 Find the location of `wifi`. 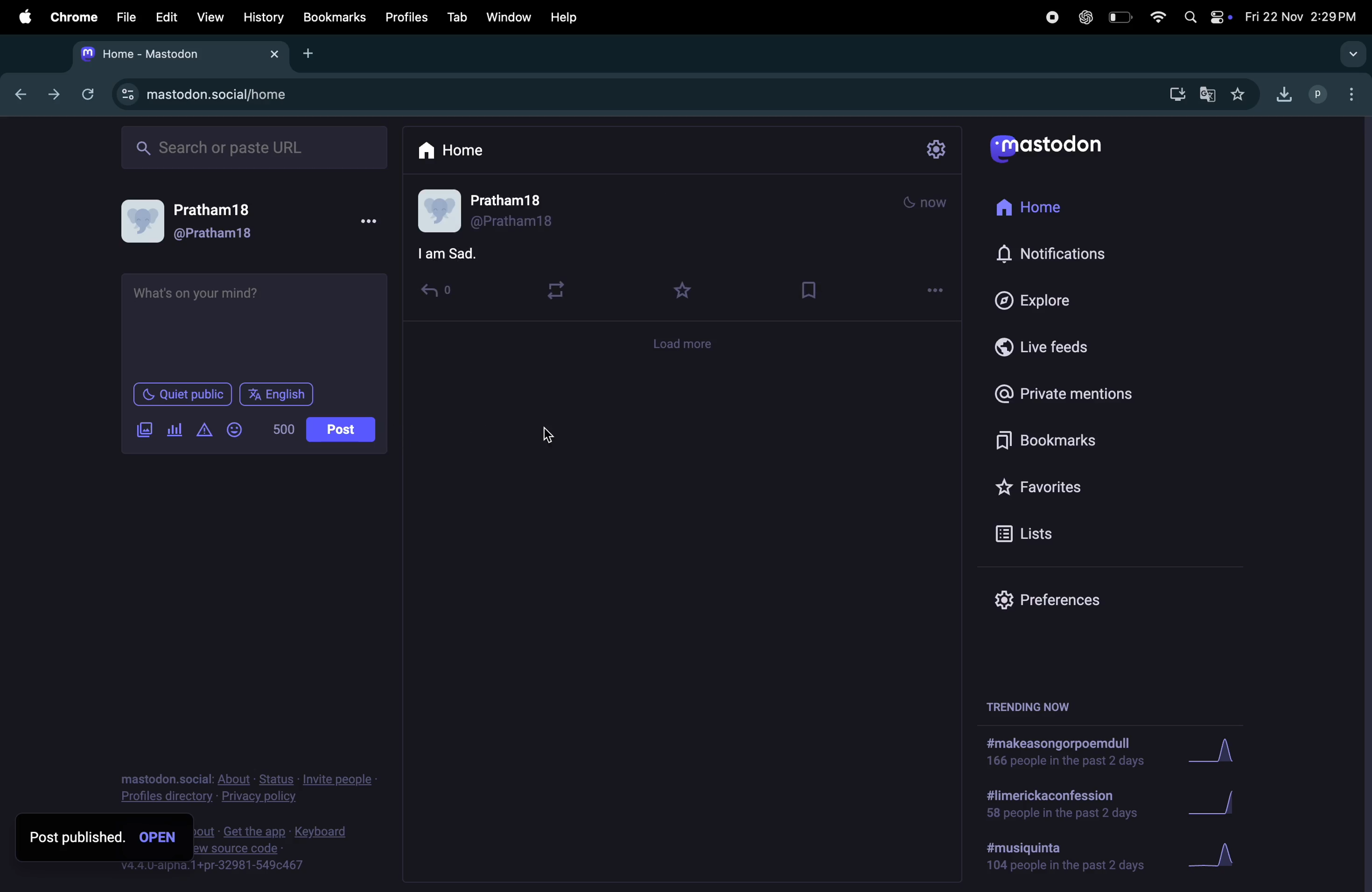

wifi is located at coordinates (1155, 17).